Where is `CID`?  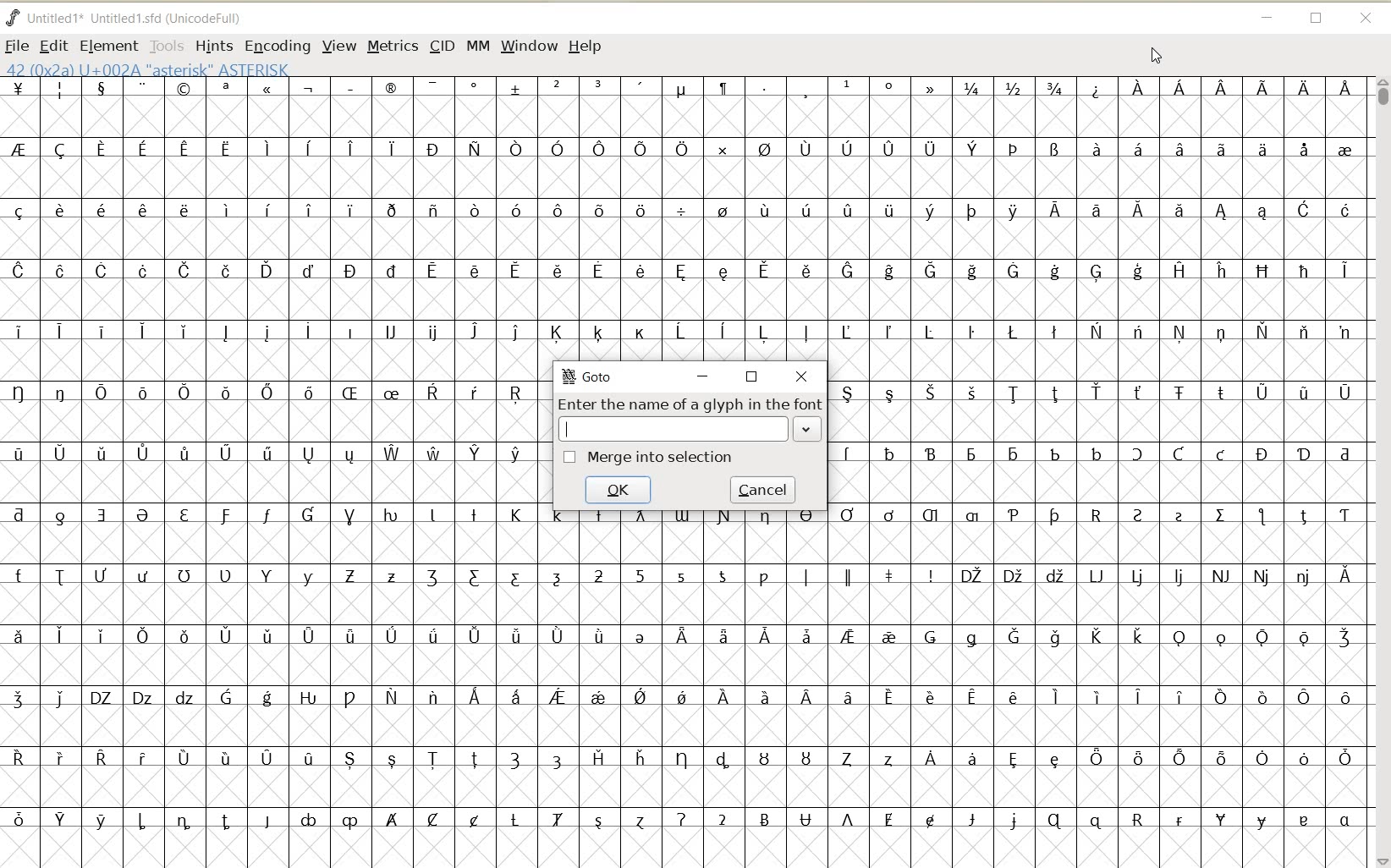
CID is located at coordinates (440, 46).